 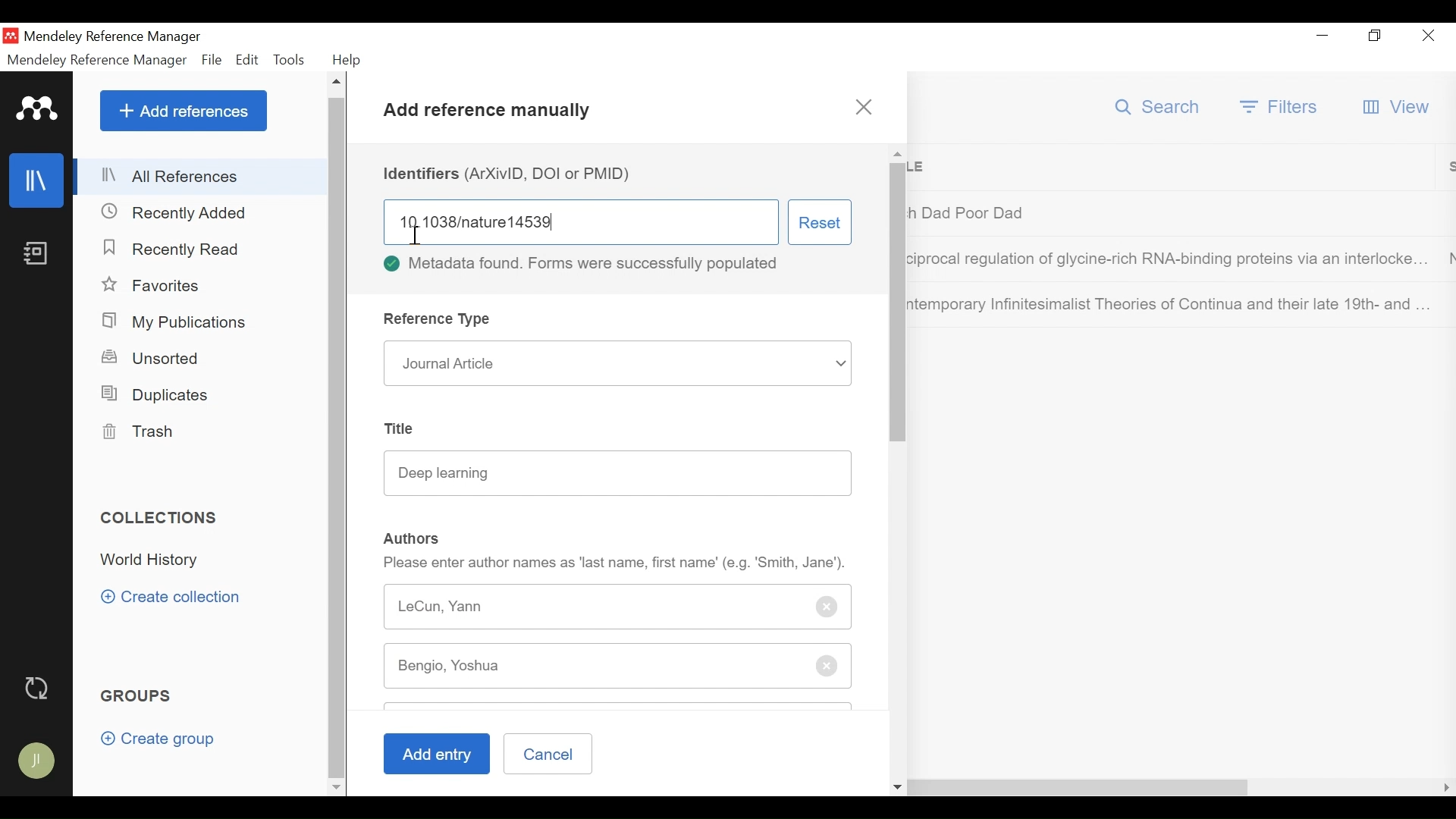 What do you see at coordinates (1159, 107) in the screenshot?
I see `Search ` at bounding box center [1159, 107].